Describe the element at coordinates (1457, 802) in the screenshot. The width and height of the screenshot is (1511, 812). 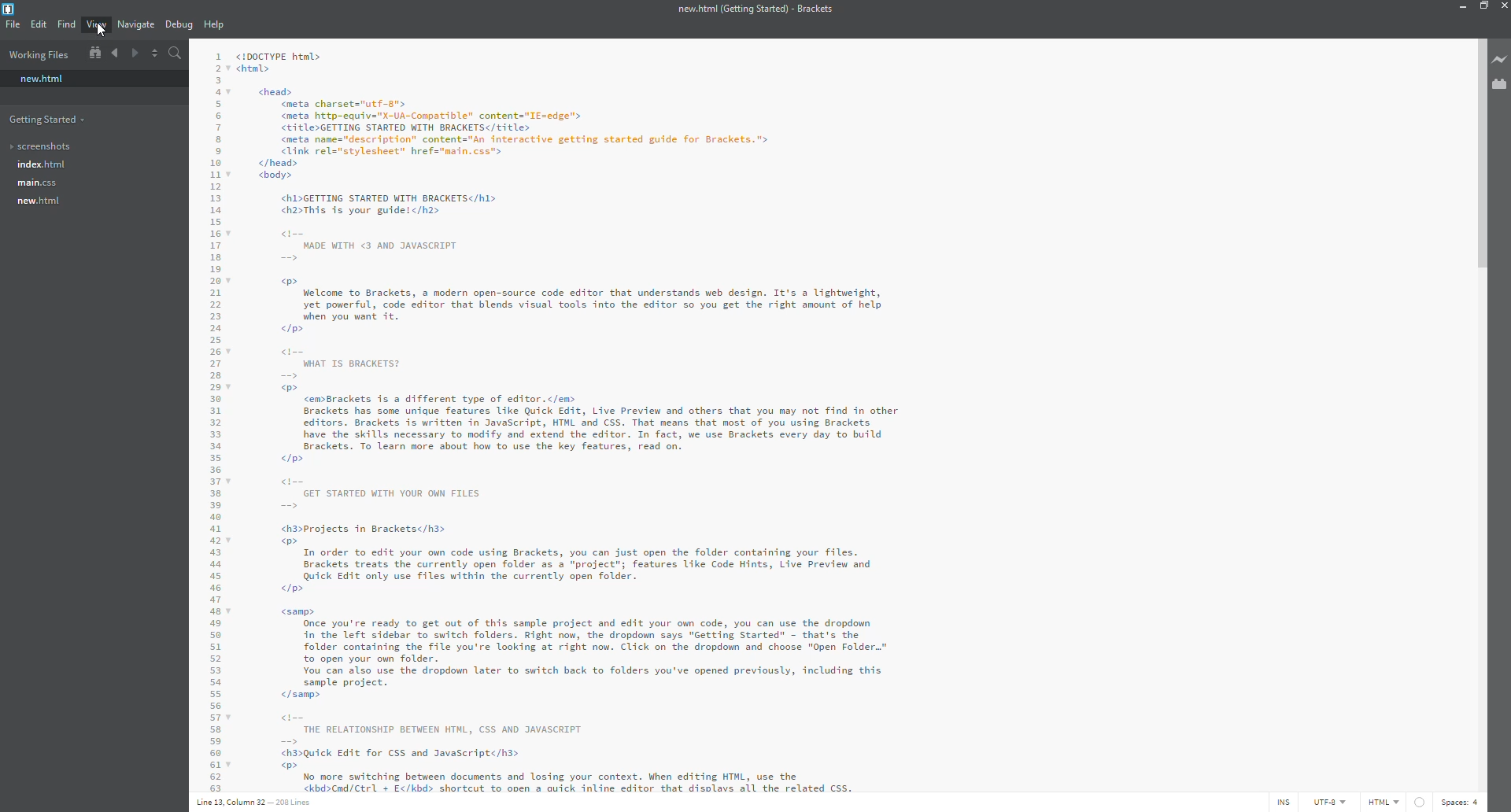
I see `spaces` at that location.